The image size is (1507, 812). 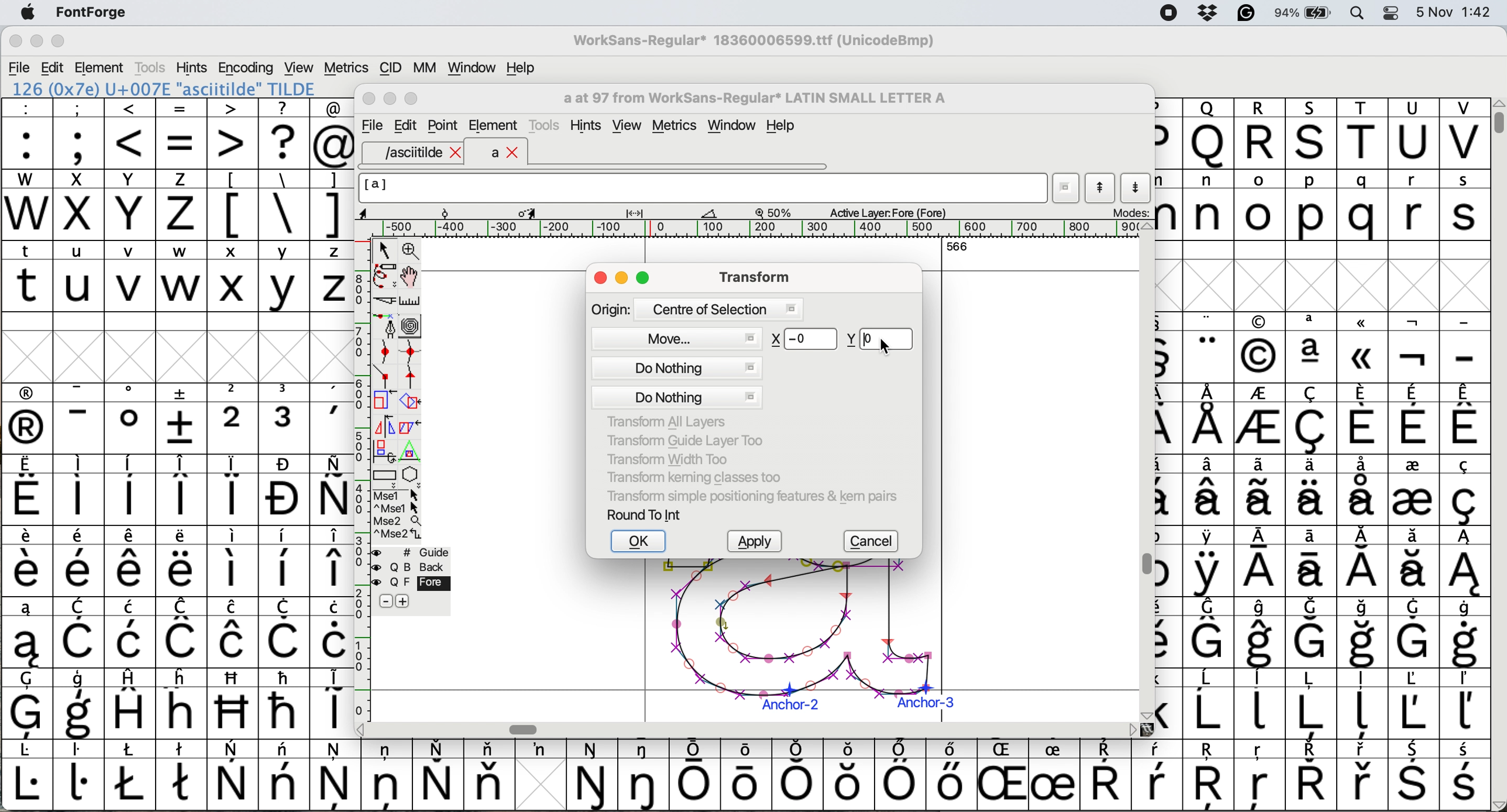 What do you see at coordinates (233, 205) in the screenshot?
I see `[` at bounding box center [233, 205].